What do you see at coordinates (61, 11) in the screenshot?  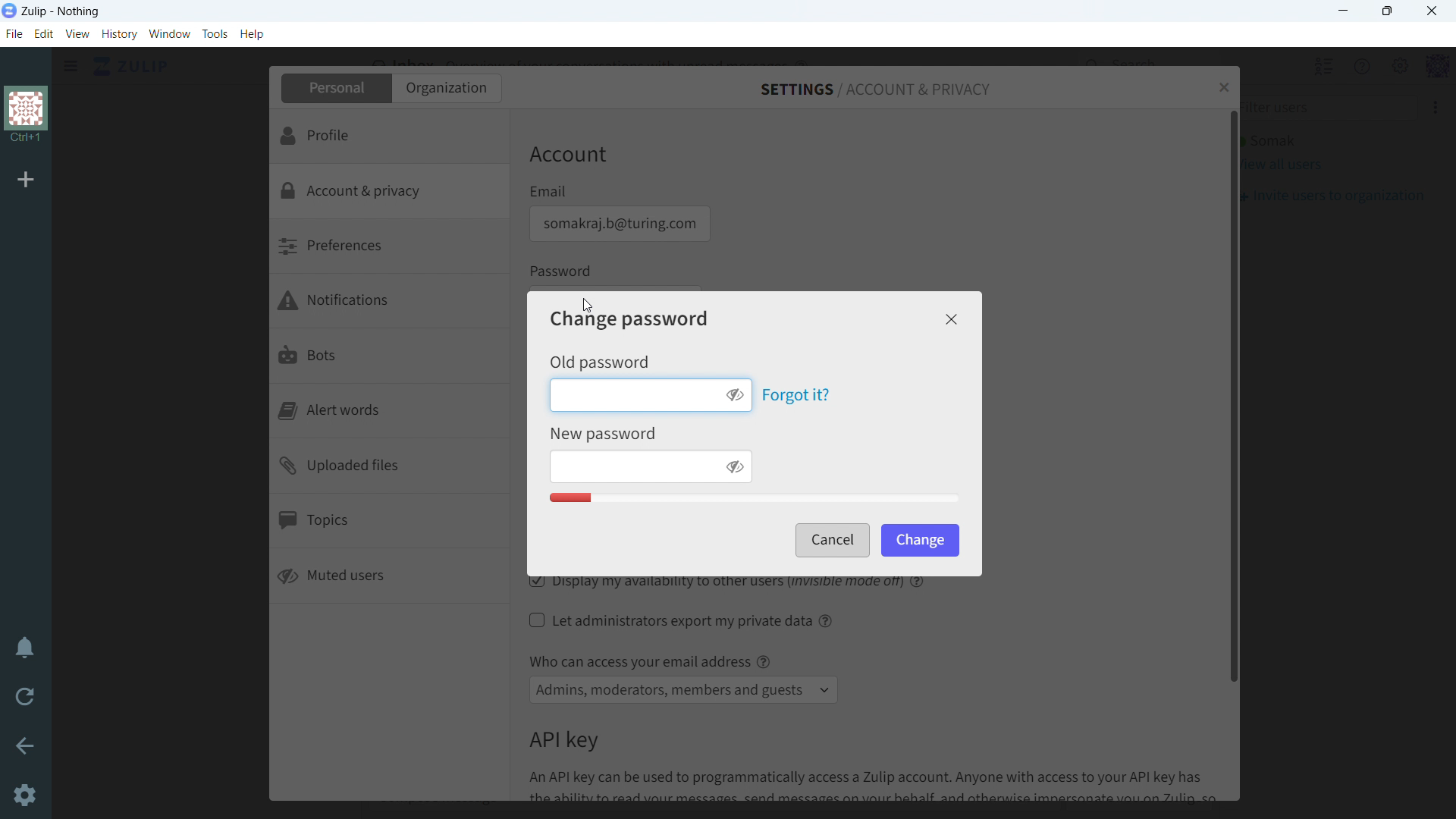 I see `title` at bounding box center [61, 11].